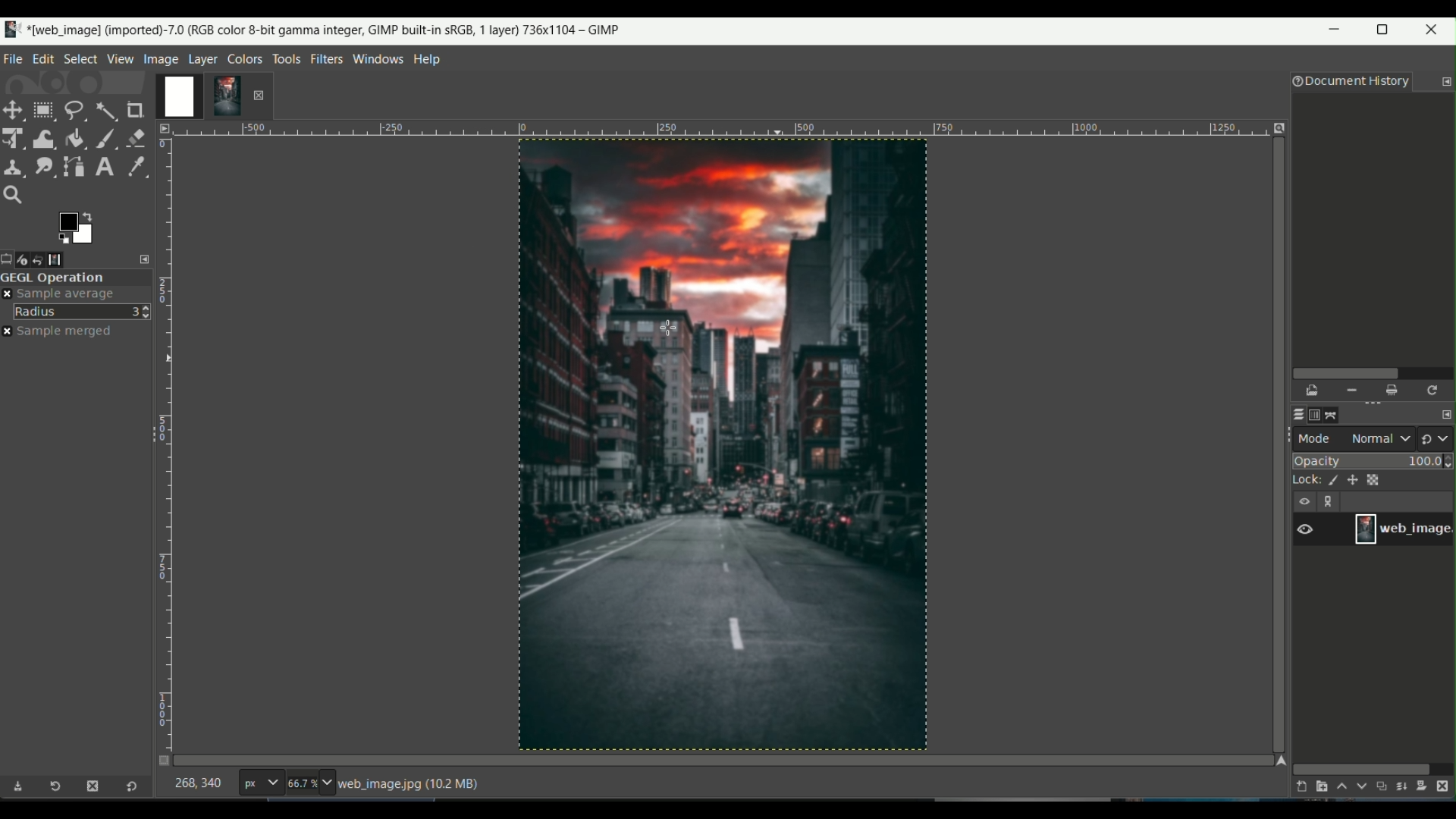 The width and height of the screenshot is (1456, 819). Describe the element at coordinates (1447, 786) in the screenshot. I see `delete this layer` at that location.